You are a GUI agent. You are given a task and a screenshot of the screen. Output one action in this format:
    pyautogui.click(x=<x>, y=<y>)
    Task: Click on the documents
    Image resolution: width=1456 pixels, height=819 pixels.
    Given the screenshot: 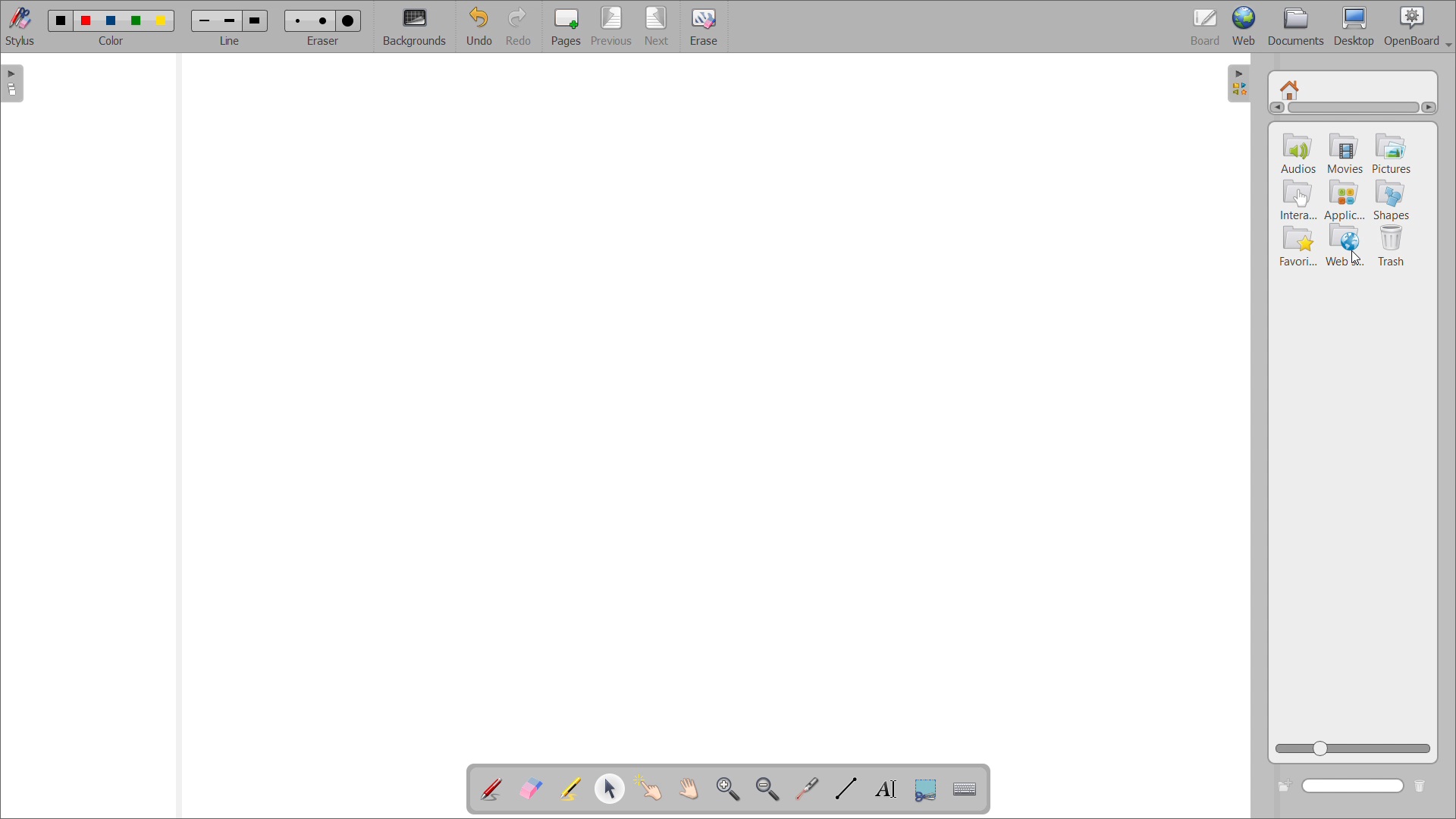 What is the action you would take?
    pyautogui.click(x=1297, y=27)
    